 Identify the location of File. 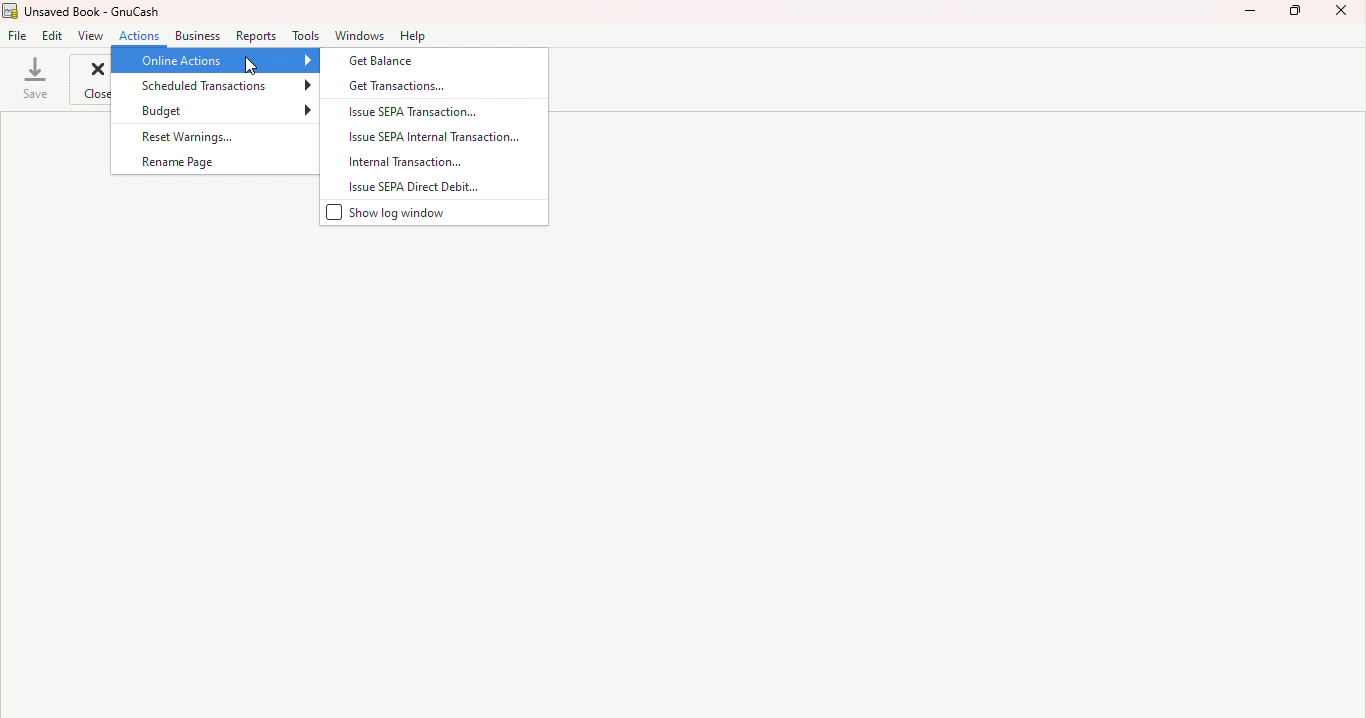
(20, 36).